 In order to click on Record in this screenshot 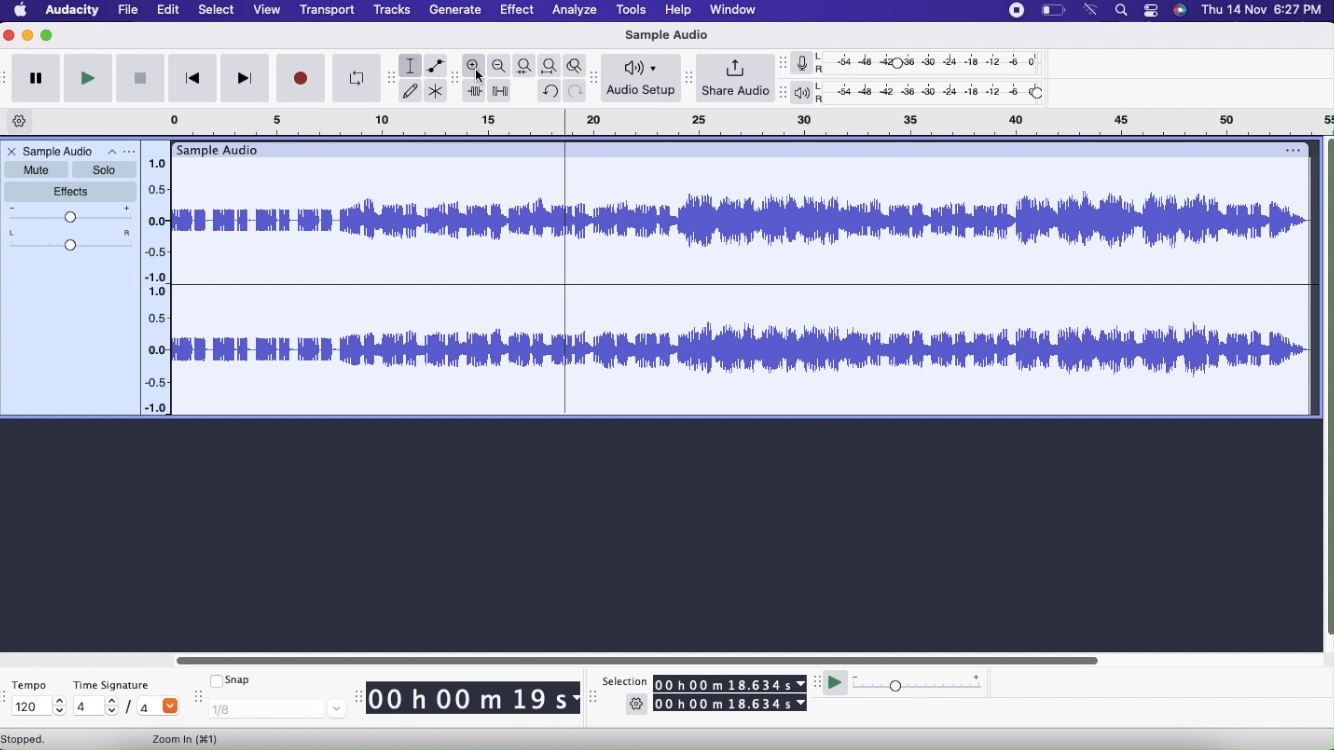, I will do `click(300, 78)`.